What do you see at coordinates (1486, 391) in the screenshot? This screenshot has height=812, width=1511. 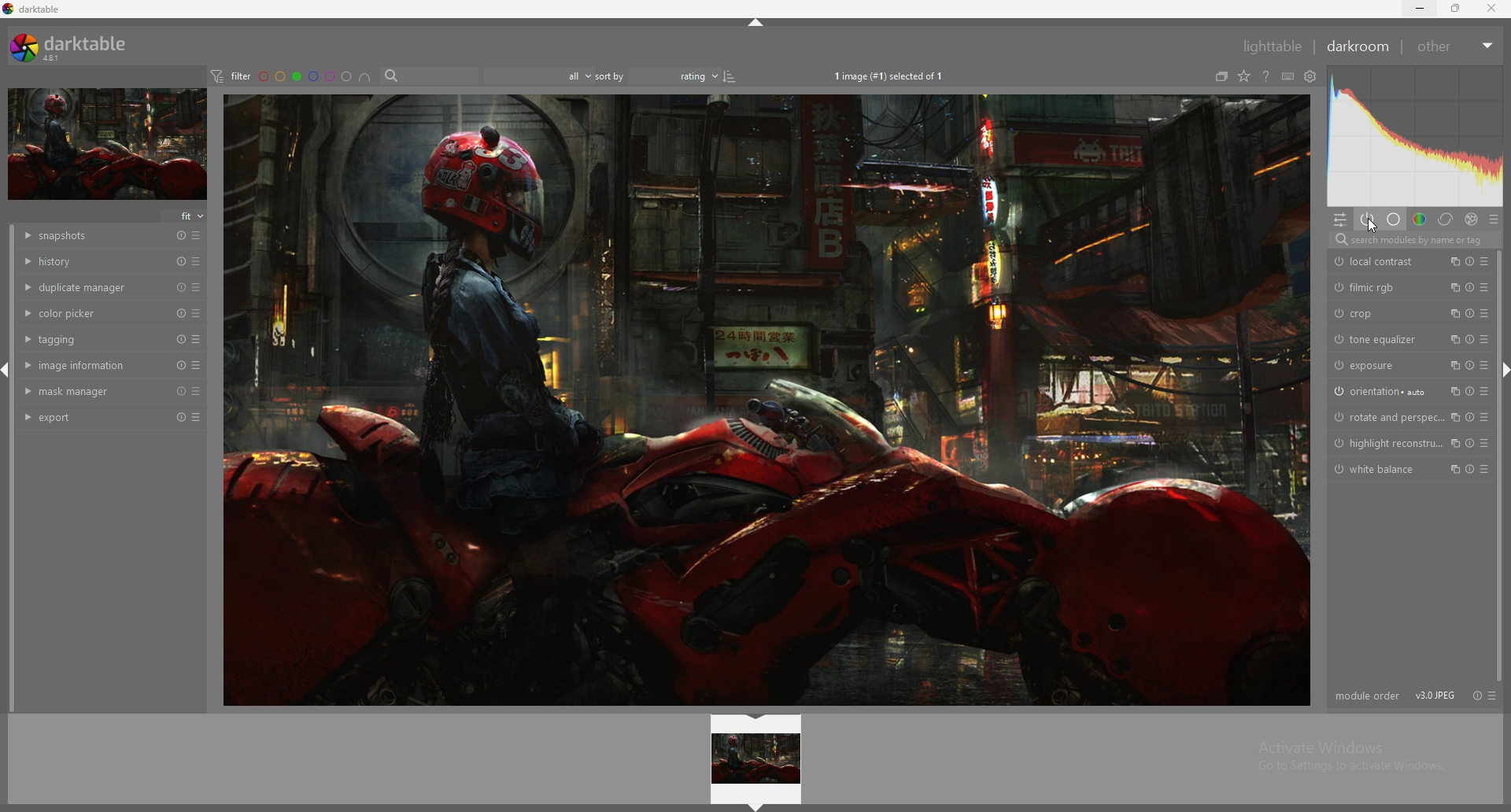 I see `presets` at bounding box center [1486, 391].